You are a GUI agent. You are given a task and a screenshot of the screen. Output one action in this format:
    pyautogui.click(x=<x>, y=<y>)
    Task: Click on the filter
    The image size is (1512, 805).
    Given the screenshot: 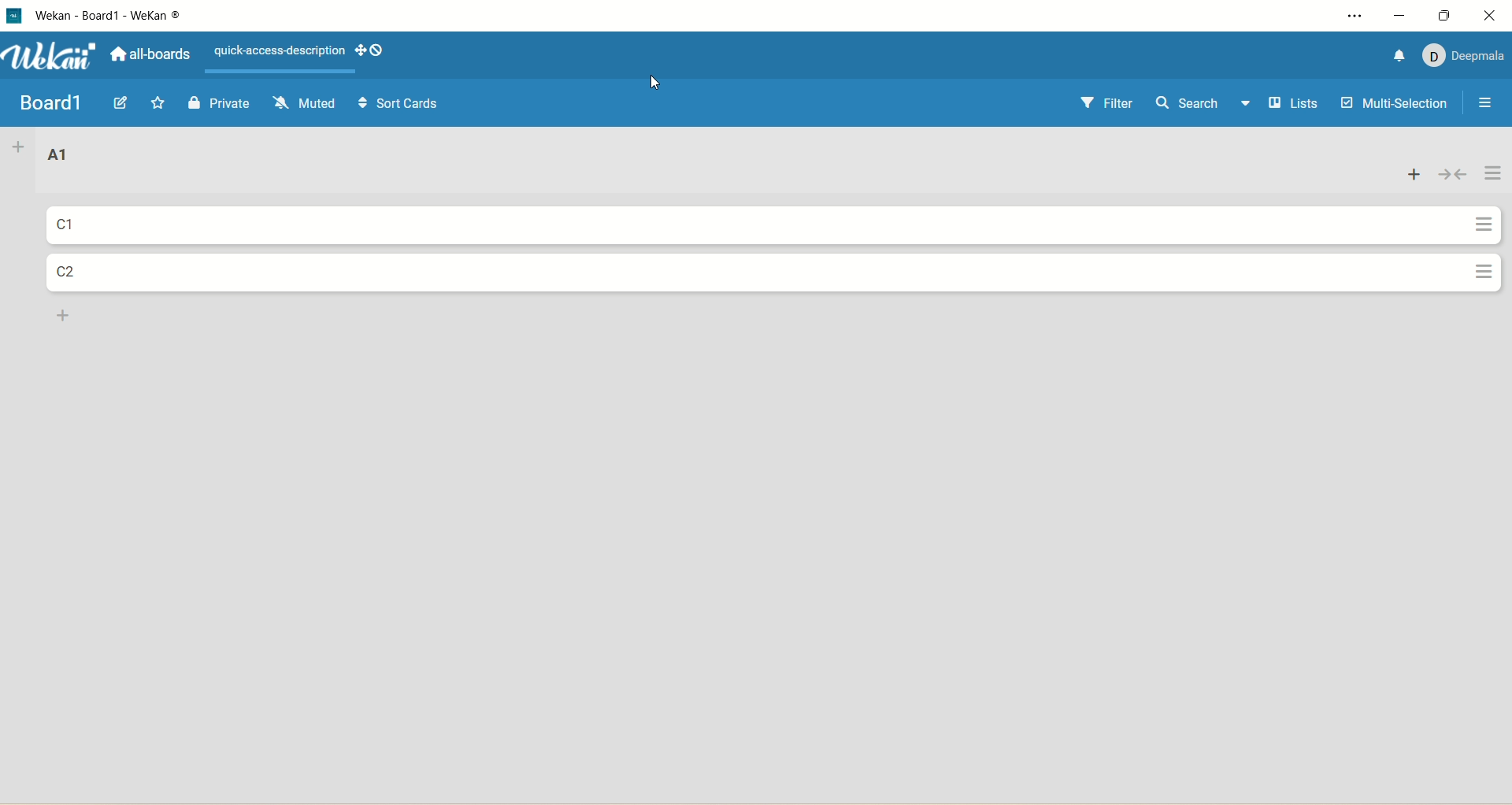 What is the action you would take?
    pyautogui.click(x=1105, y=105)
    